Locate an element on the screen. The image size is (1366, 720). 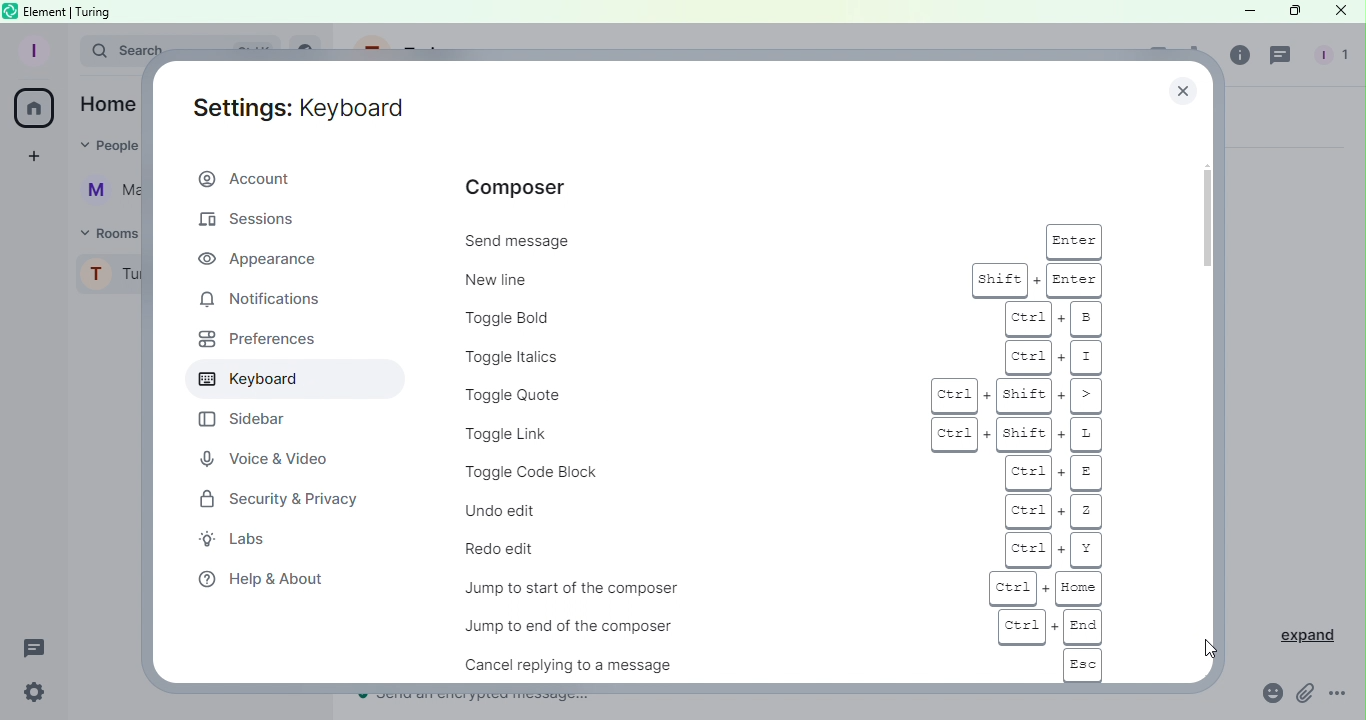
element | turing is located at coordinates (68, 11).